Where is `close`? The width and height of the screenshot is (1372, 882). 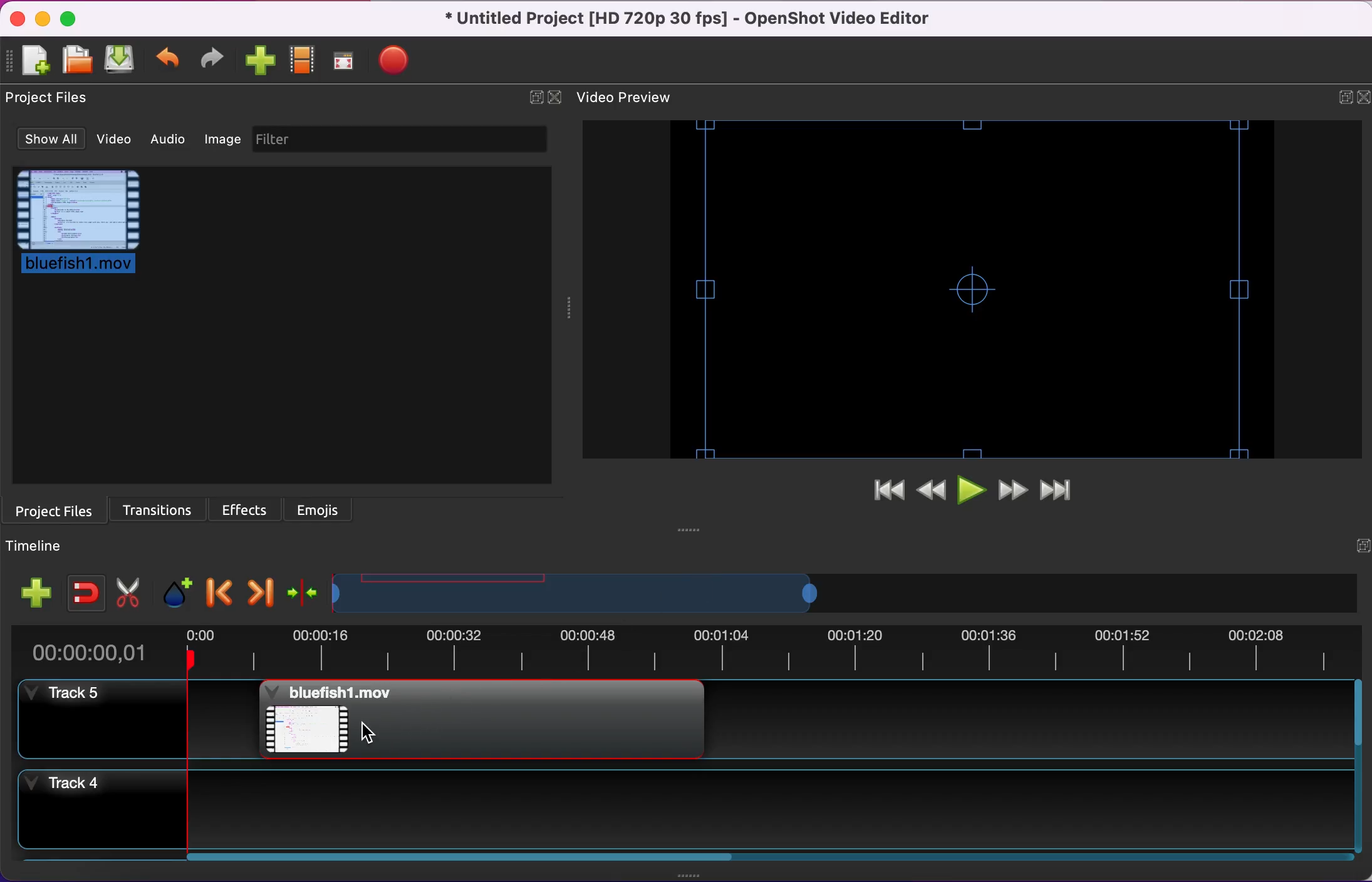
close is located at coordinates (1363, 98).